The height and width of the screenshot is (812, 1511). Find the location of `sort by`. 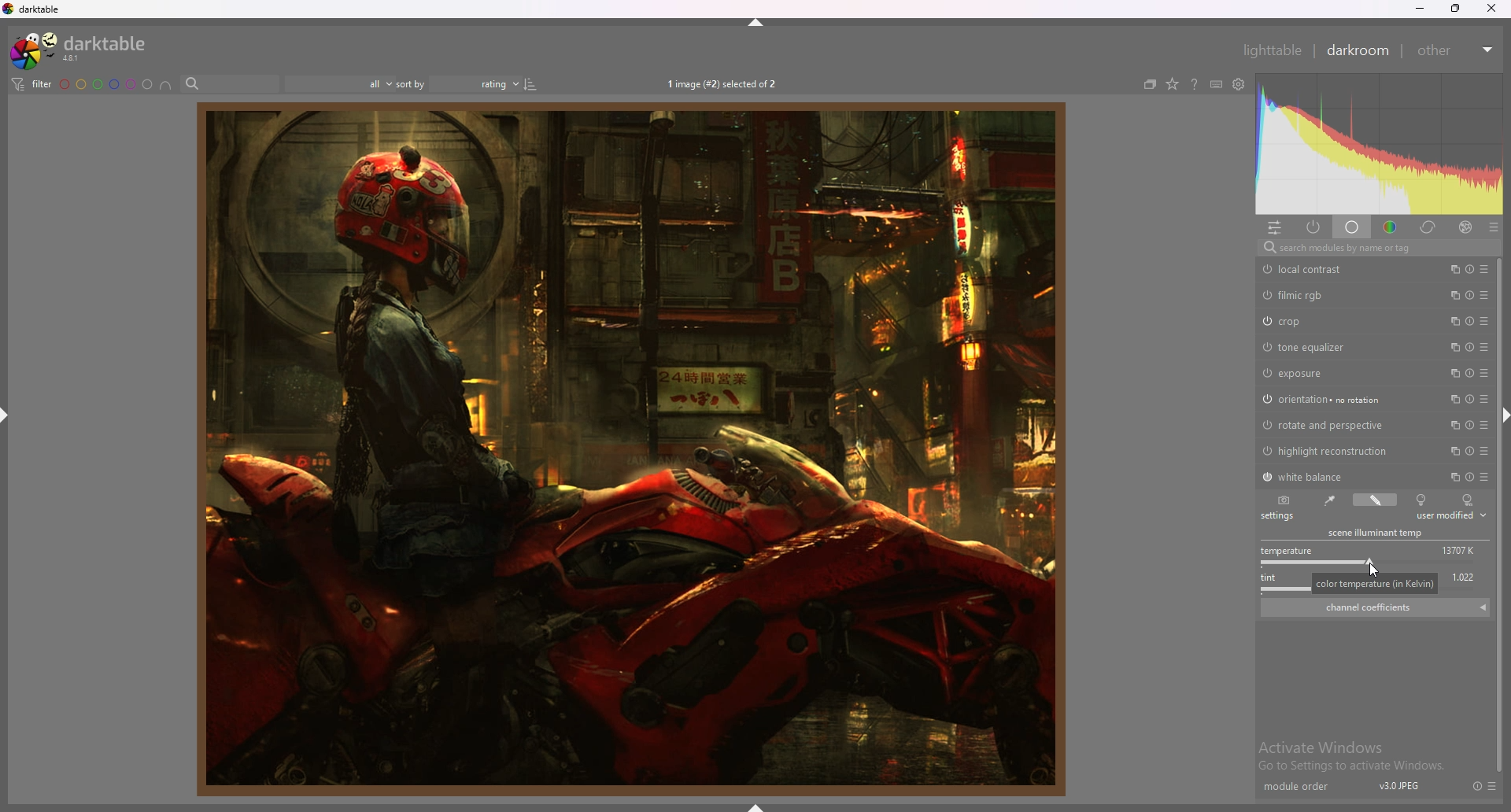

sort by is located at coordinates (460, 84).